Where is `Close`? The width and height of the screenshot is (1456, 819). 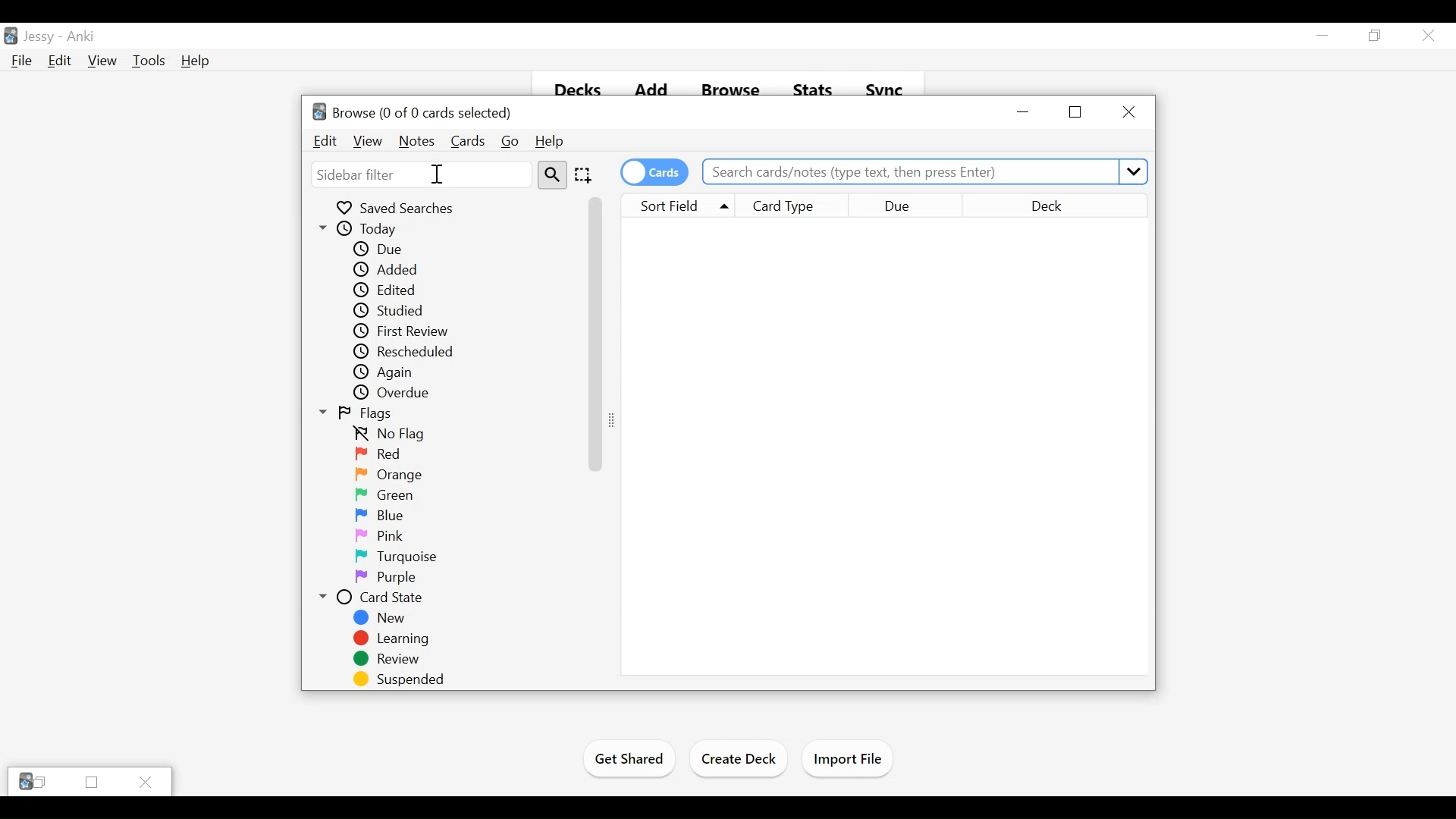
Close is located at coordinates (1426, 36).